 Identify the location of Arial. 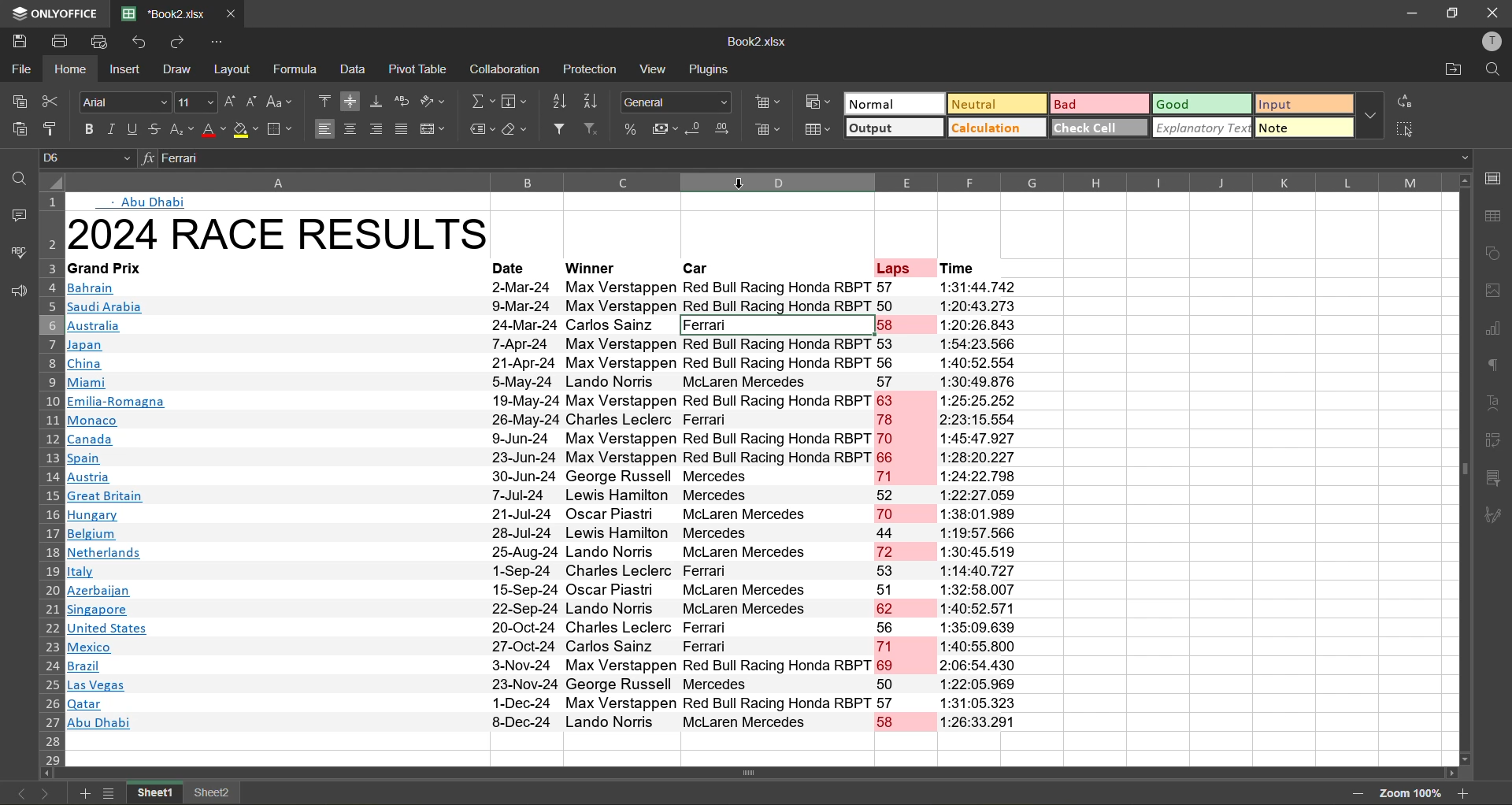
(124, 101).